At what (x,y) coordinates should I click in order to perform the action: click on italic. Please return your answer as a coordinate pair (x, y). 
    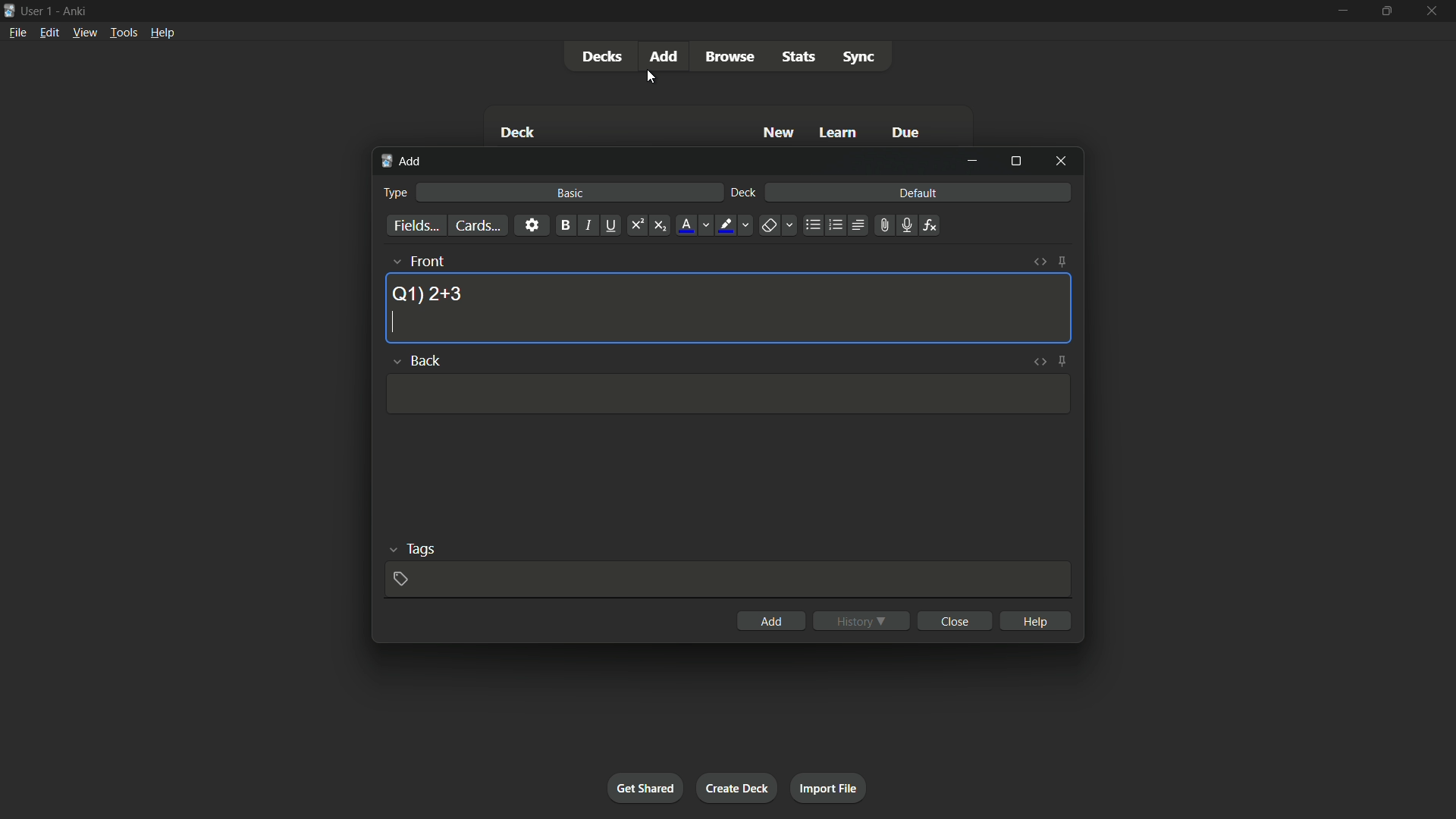
    Looking at the image, I should click on (587, 225).